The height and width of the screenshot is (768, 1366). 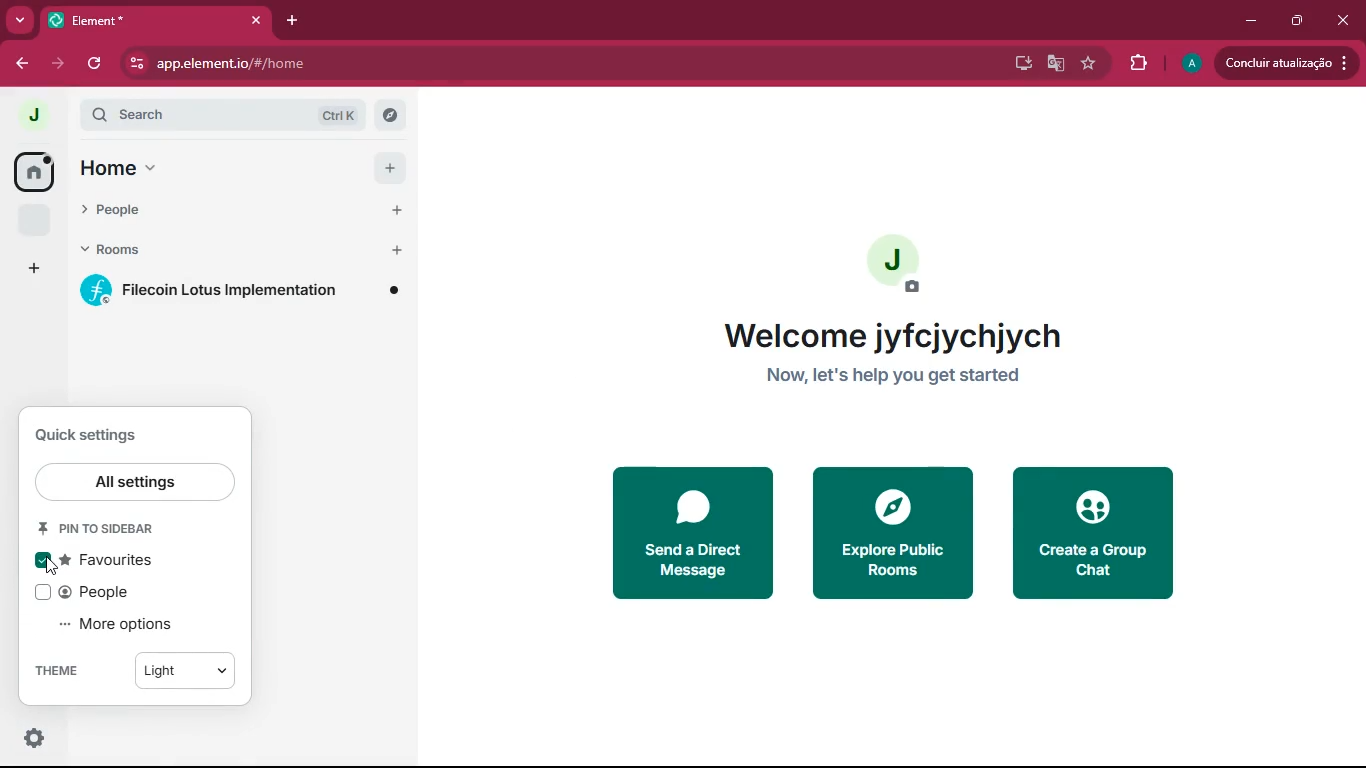 I want to click on profile picture, so click(x=894, y=262).